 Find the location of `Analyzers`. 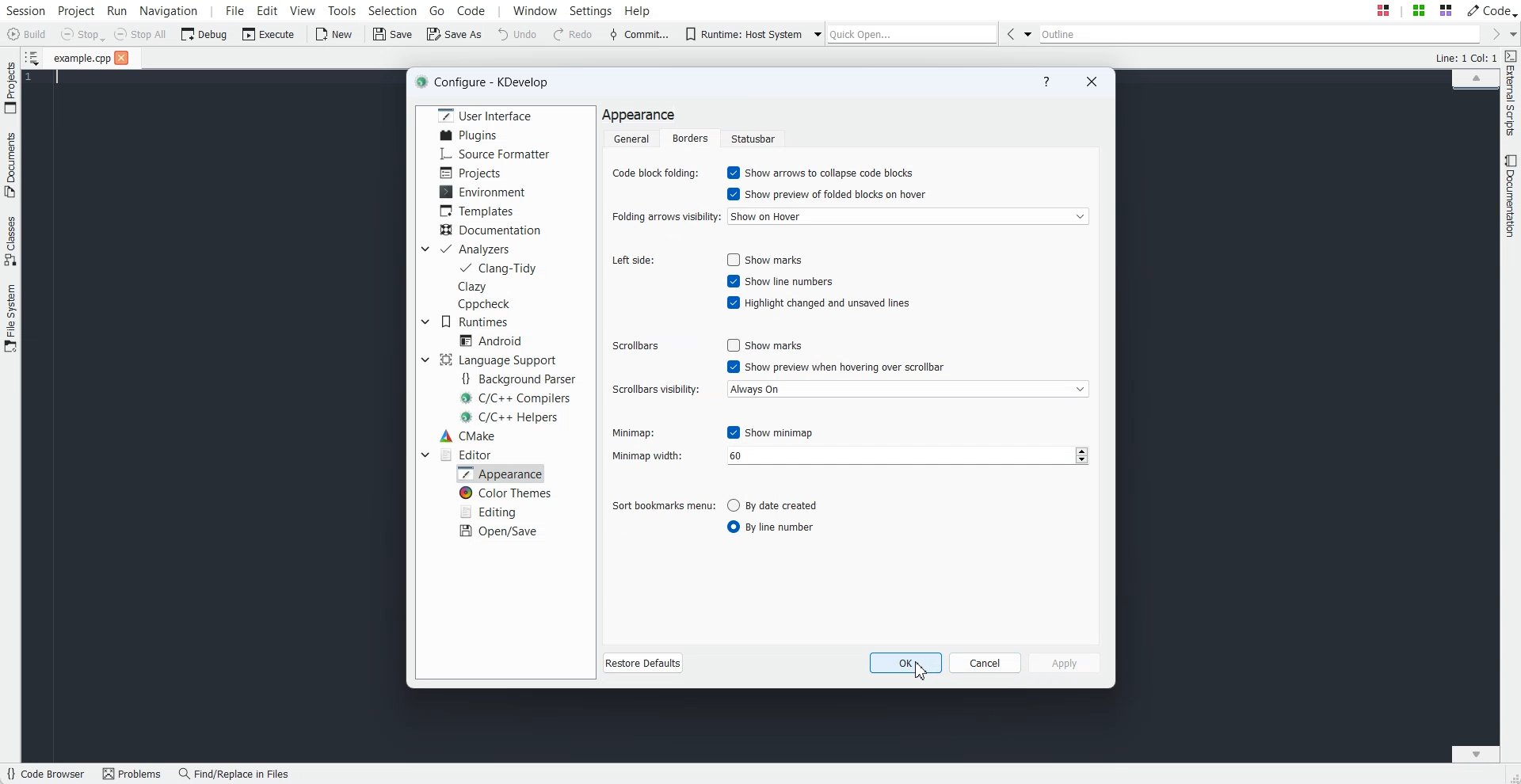

Analyzers is located at coordinates (475, 249).